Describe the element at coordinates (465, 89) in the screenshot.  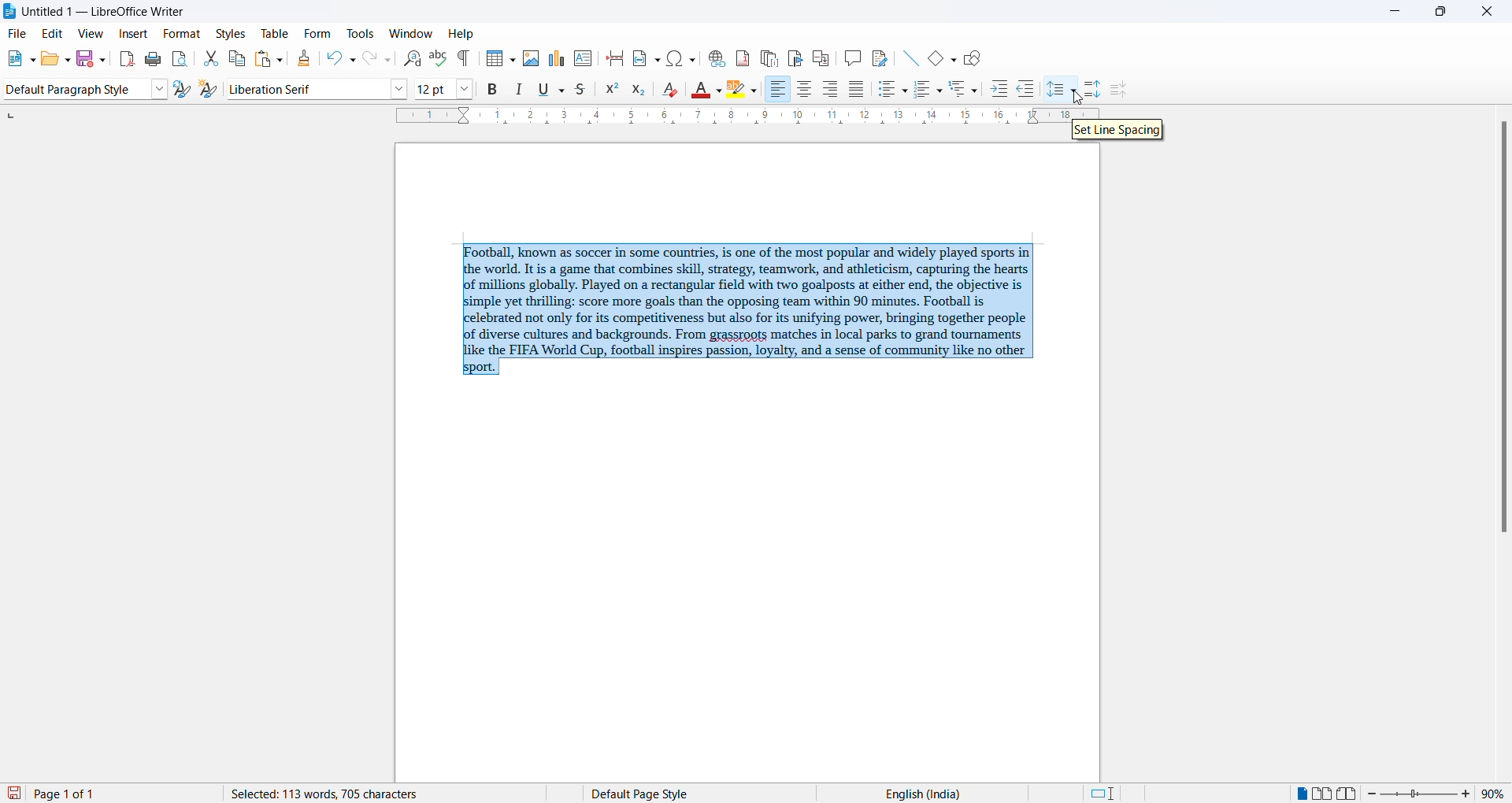
I see `font size options` at that location.